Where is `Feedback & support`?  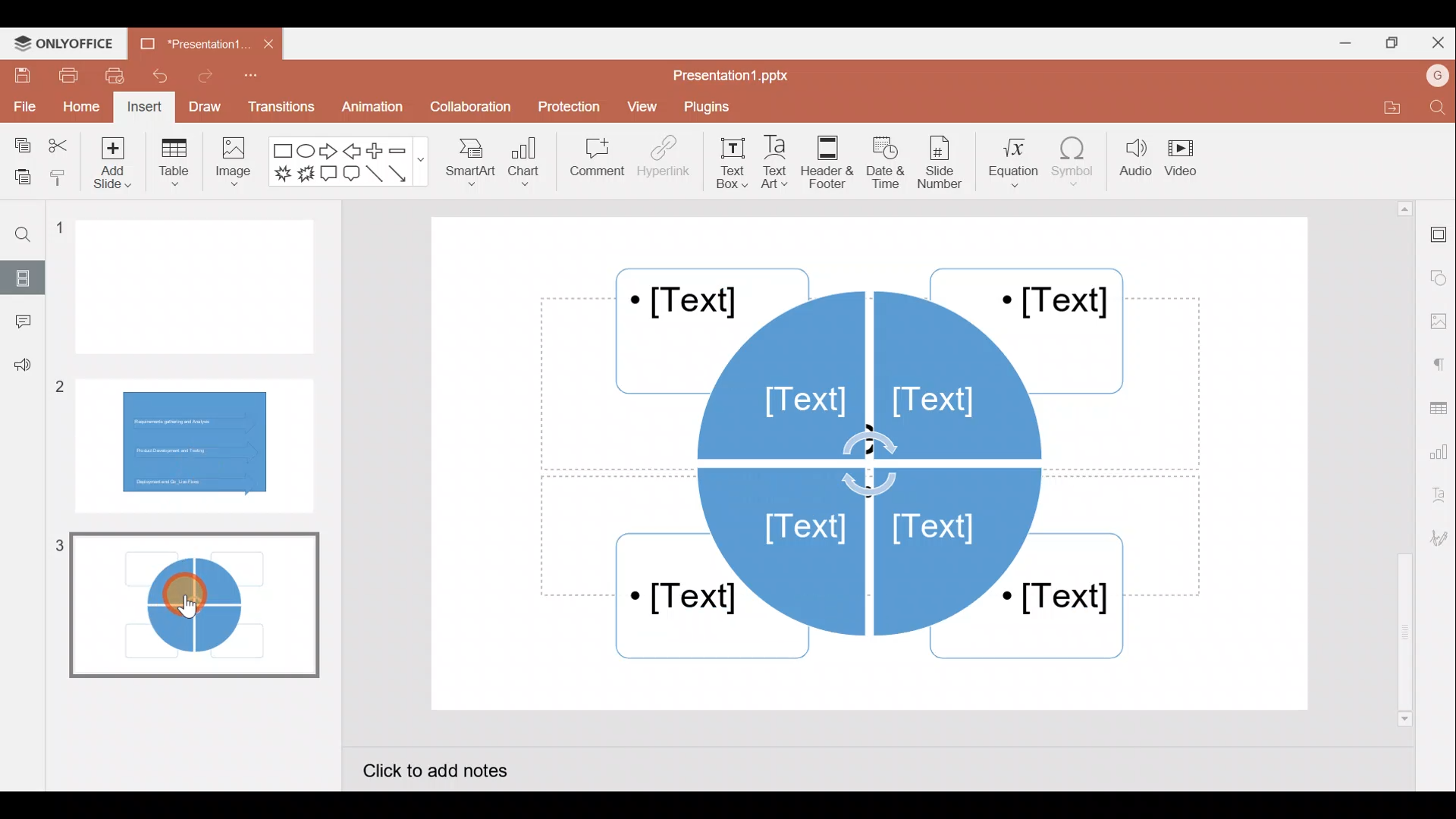
Feedback & support is located at coordinates (20, 370).